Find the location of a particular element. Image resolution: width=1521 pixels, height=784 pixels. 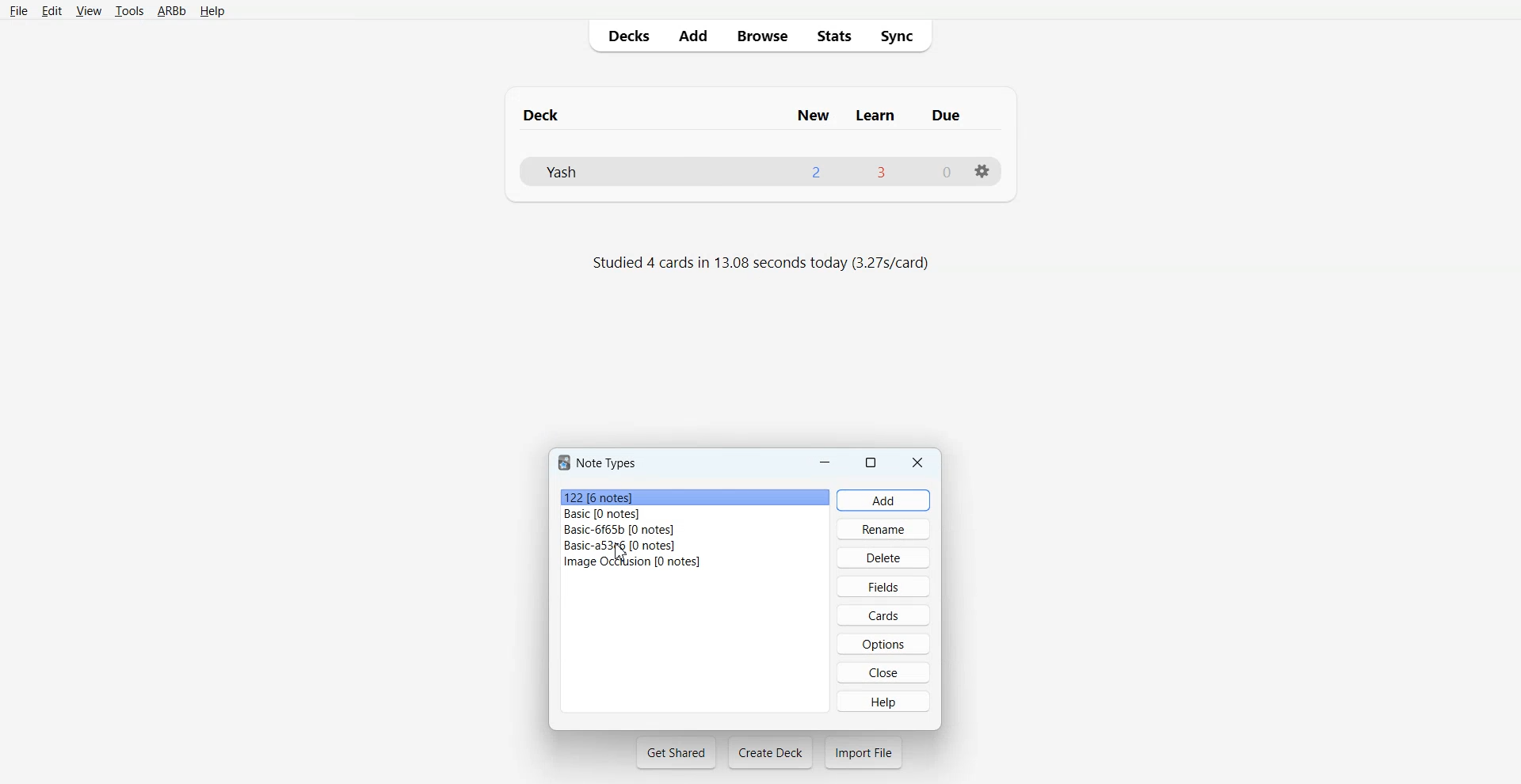

Note Types is located at coordinates (600, 462).